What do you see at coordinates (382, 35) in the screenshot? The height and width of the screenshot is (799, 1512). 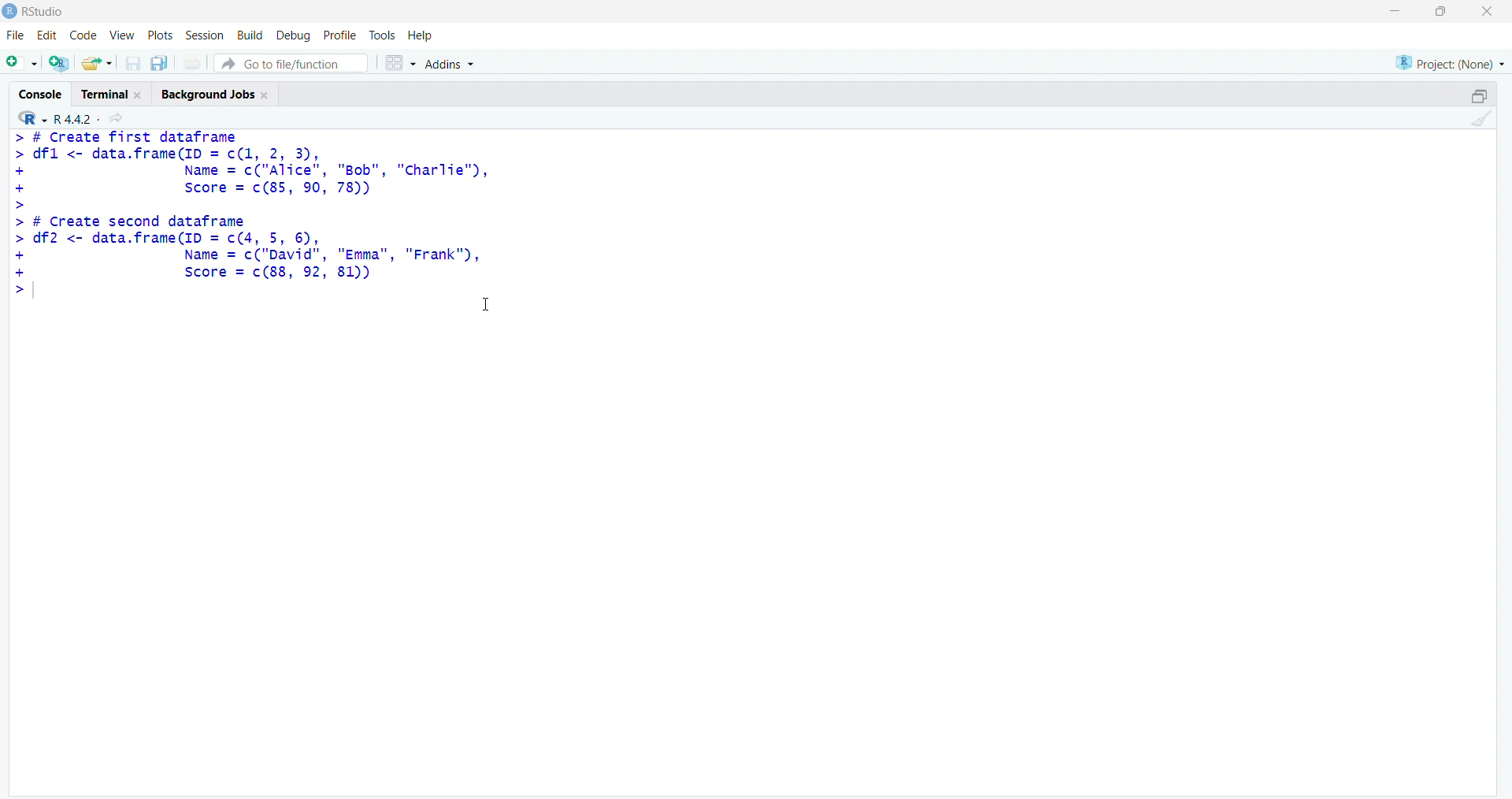 I see `Tools` at bounding box center [382, 35].